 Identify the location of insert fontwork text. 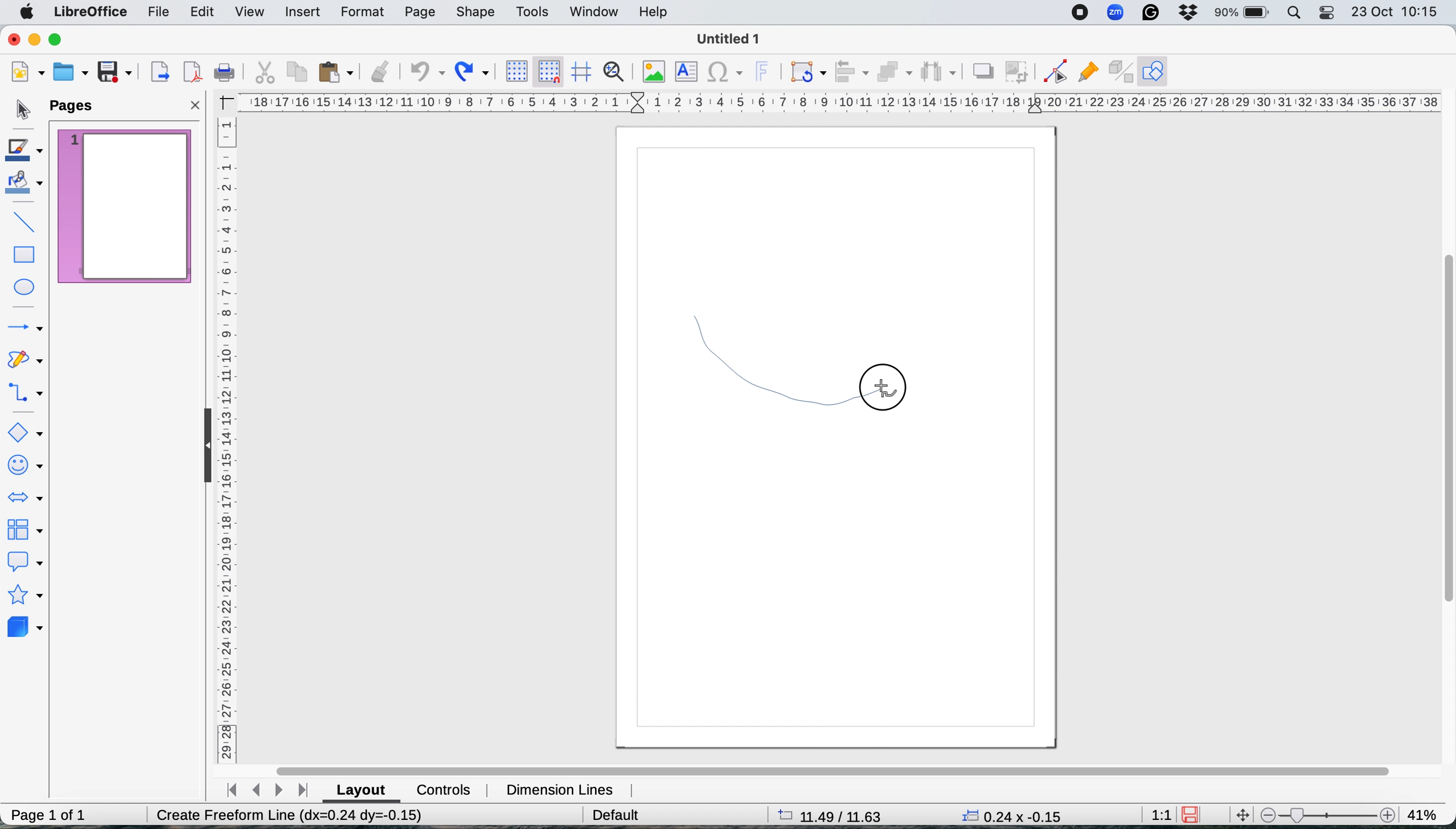
(766, 72).